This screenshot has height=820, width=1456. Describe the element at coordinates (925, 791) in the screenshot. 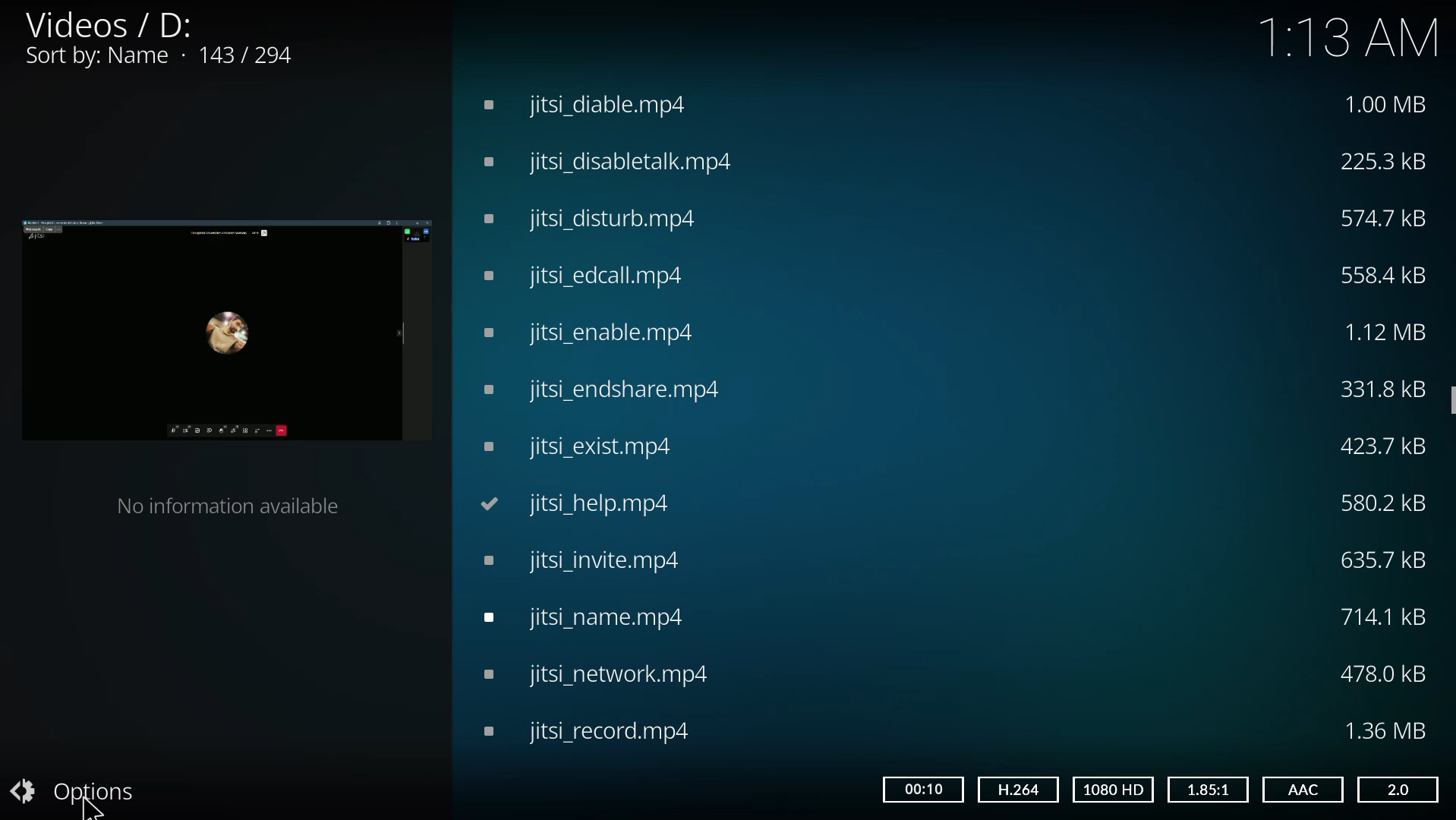

I see `time` at that location.